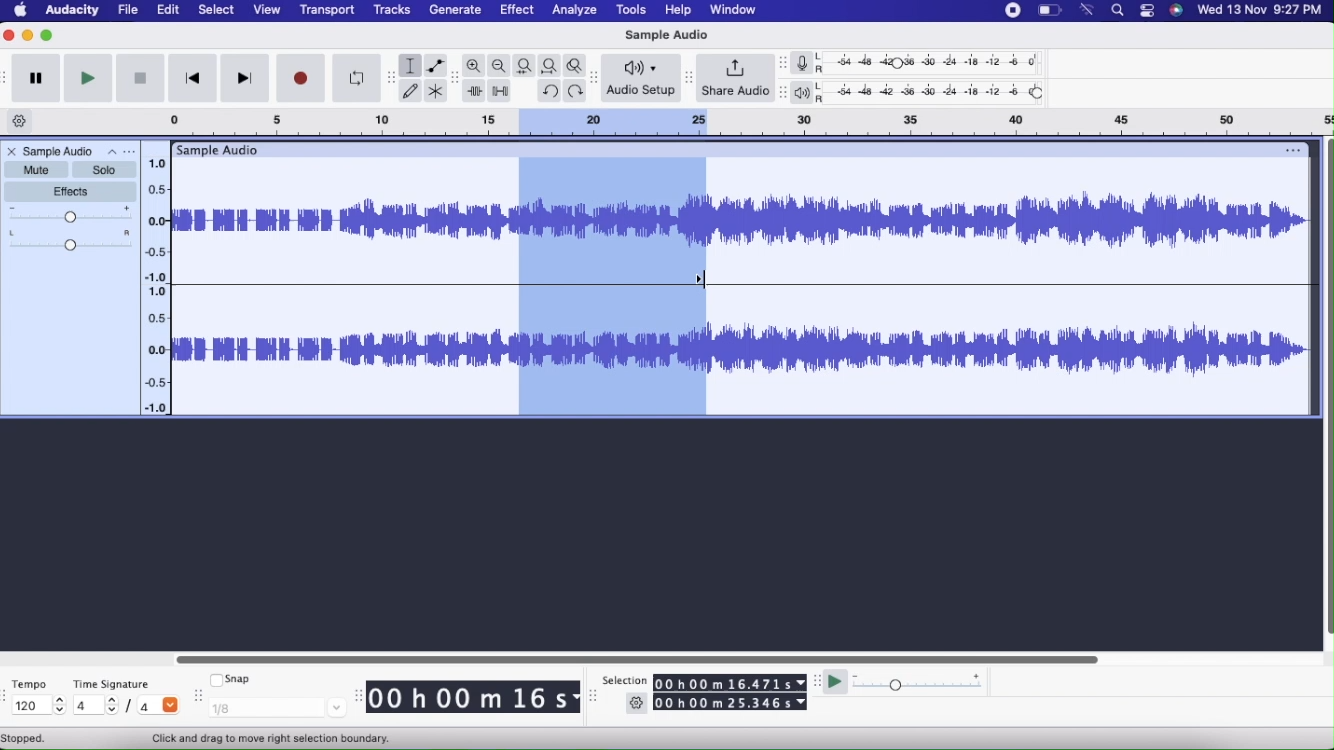  Describe the element at coordinates (36, 706) in the screenshot. I see `120` at that location.